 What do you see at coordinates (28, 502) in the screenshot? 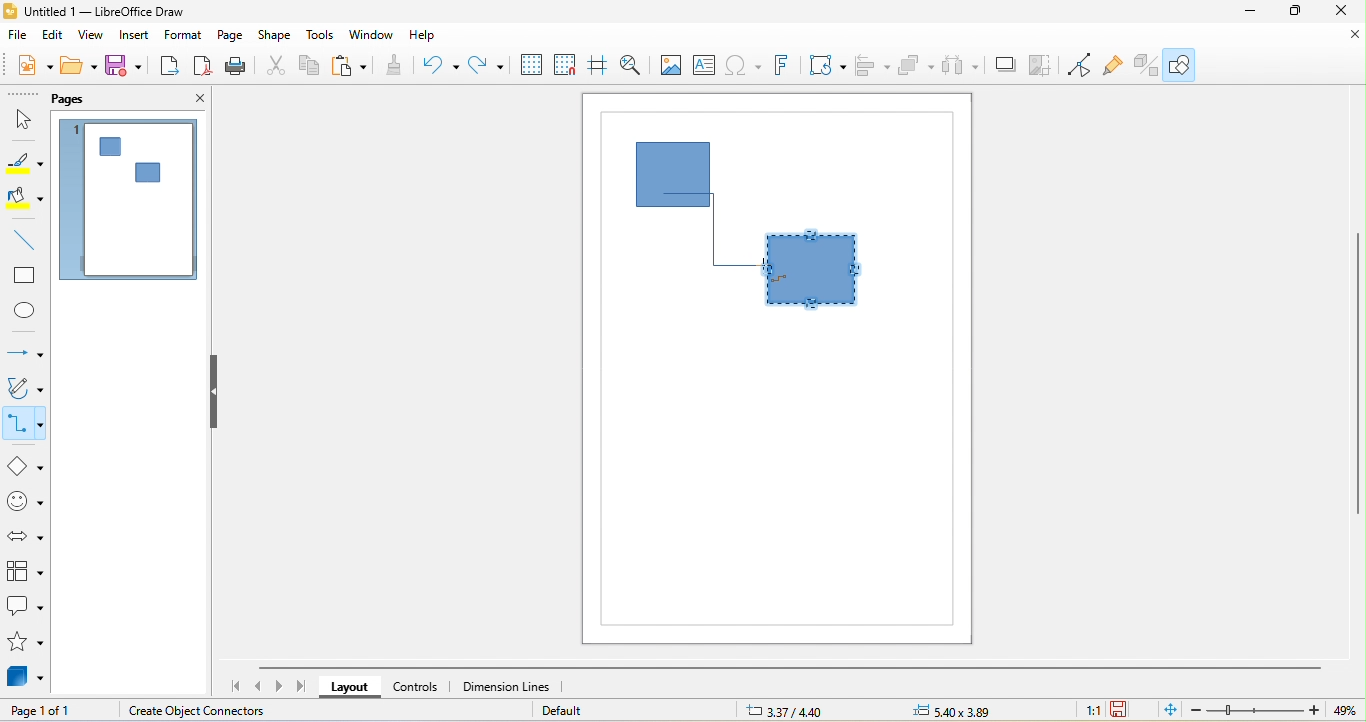
I see `symbol shape` at bounding box center [28, 502].